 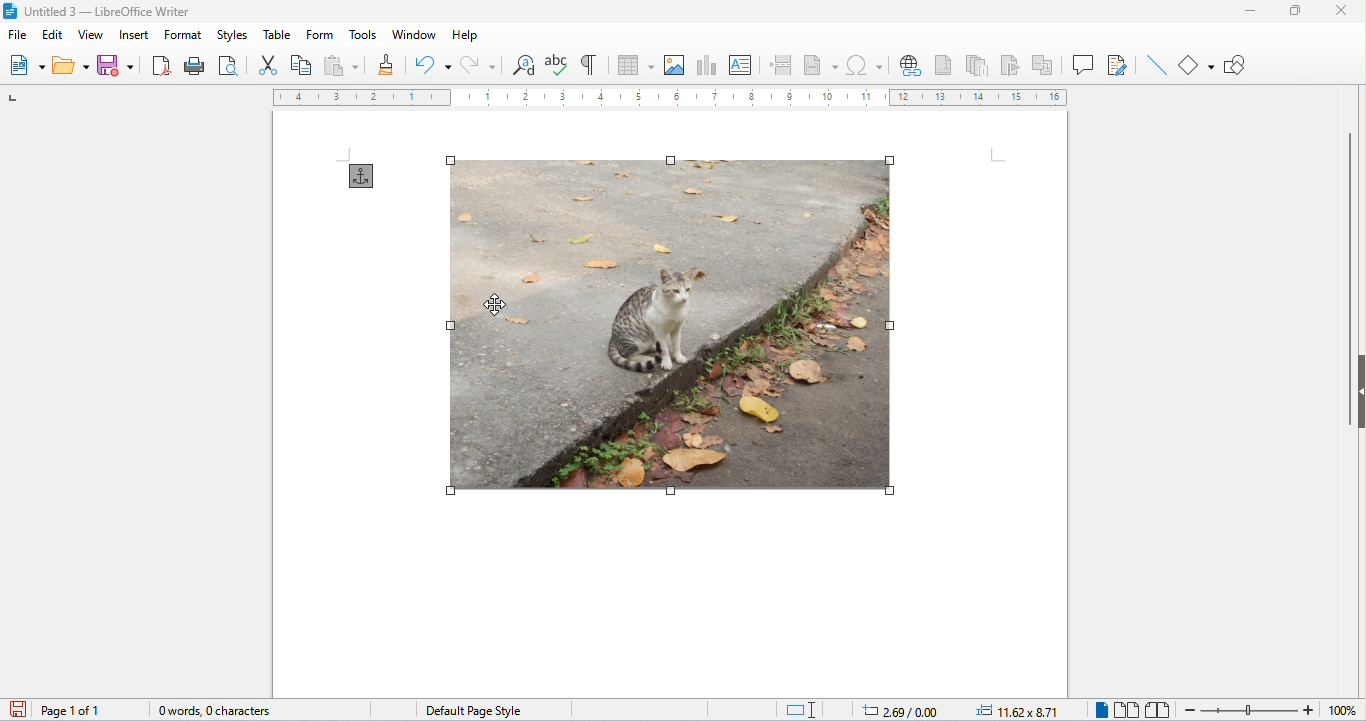 I want to click on clone, so click(x=388, y=64).